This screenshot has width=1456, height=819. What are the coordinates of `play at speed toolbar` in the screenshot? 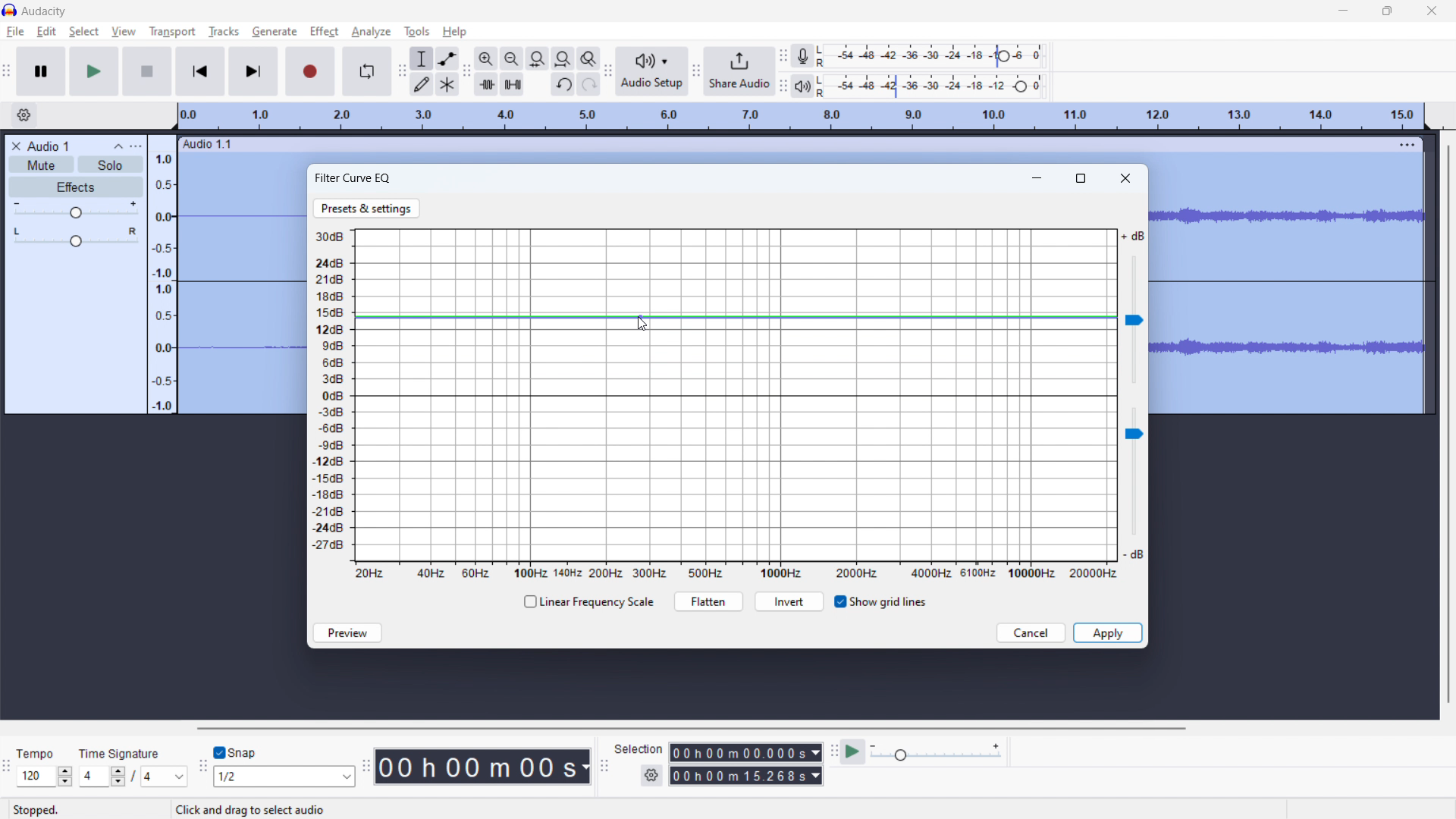 It's located at (833, 752).